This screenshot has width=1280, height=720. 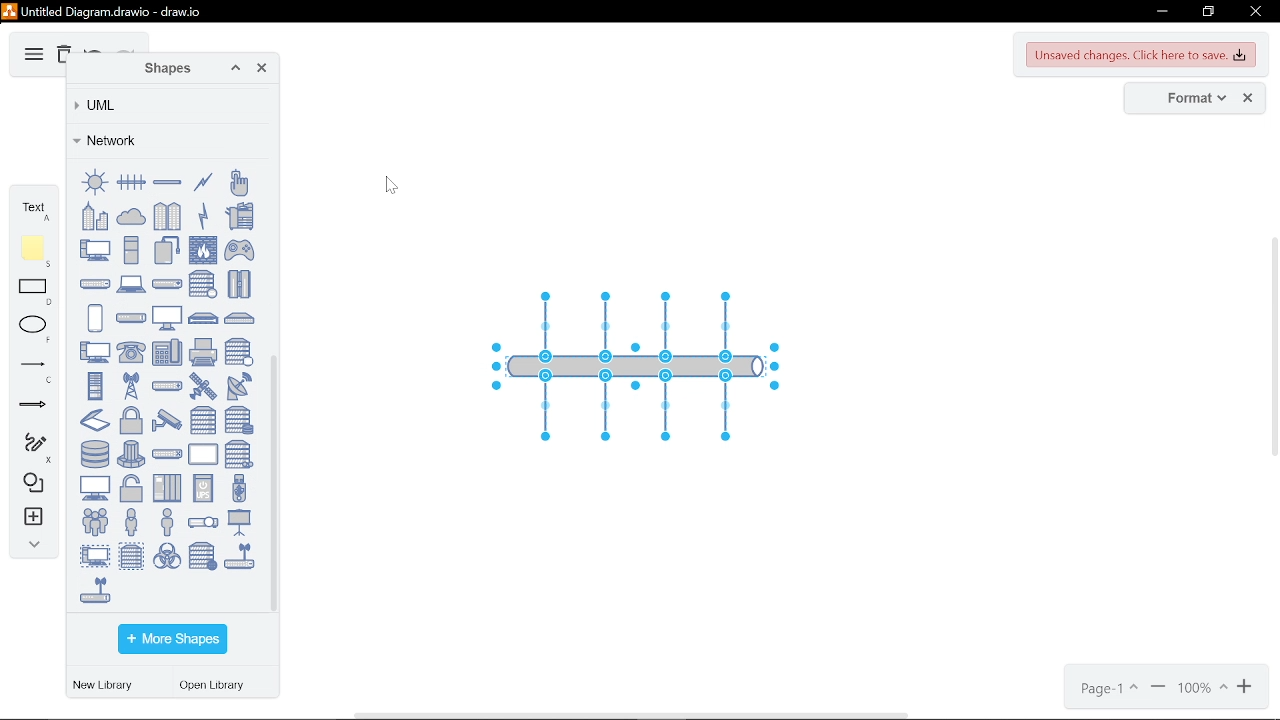 I want to click on comm link (icon), so click(x=203, y=215).